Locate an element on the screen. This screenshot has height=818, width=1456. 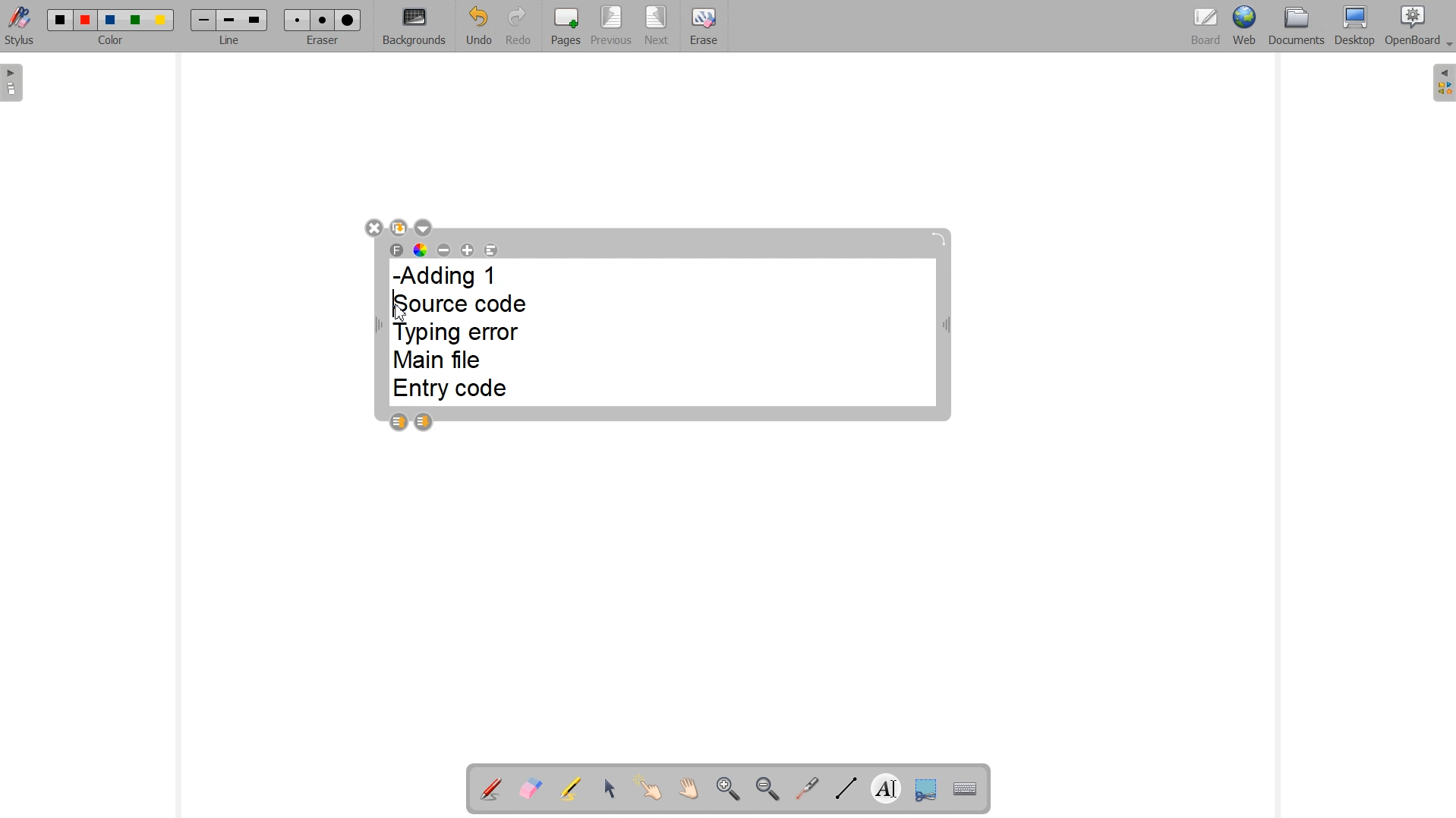
-Adding 1 Source code Typing error Main file Entry code is located at coordinates (462, 334).